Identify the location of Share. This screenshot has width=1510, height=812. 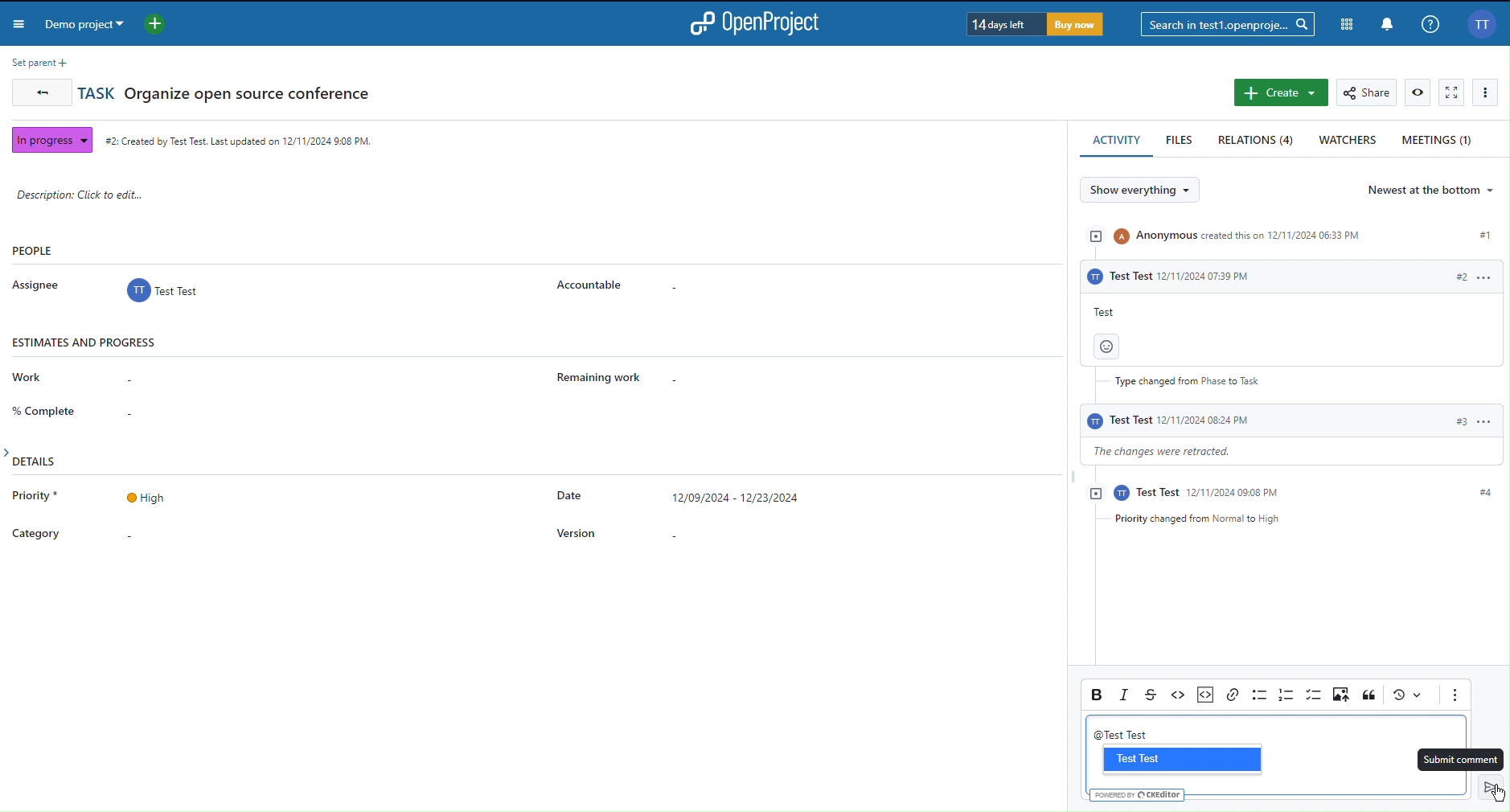
(1368, 92).